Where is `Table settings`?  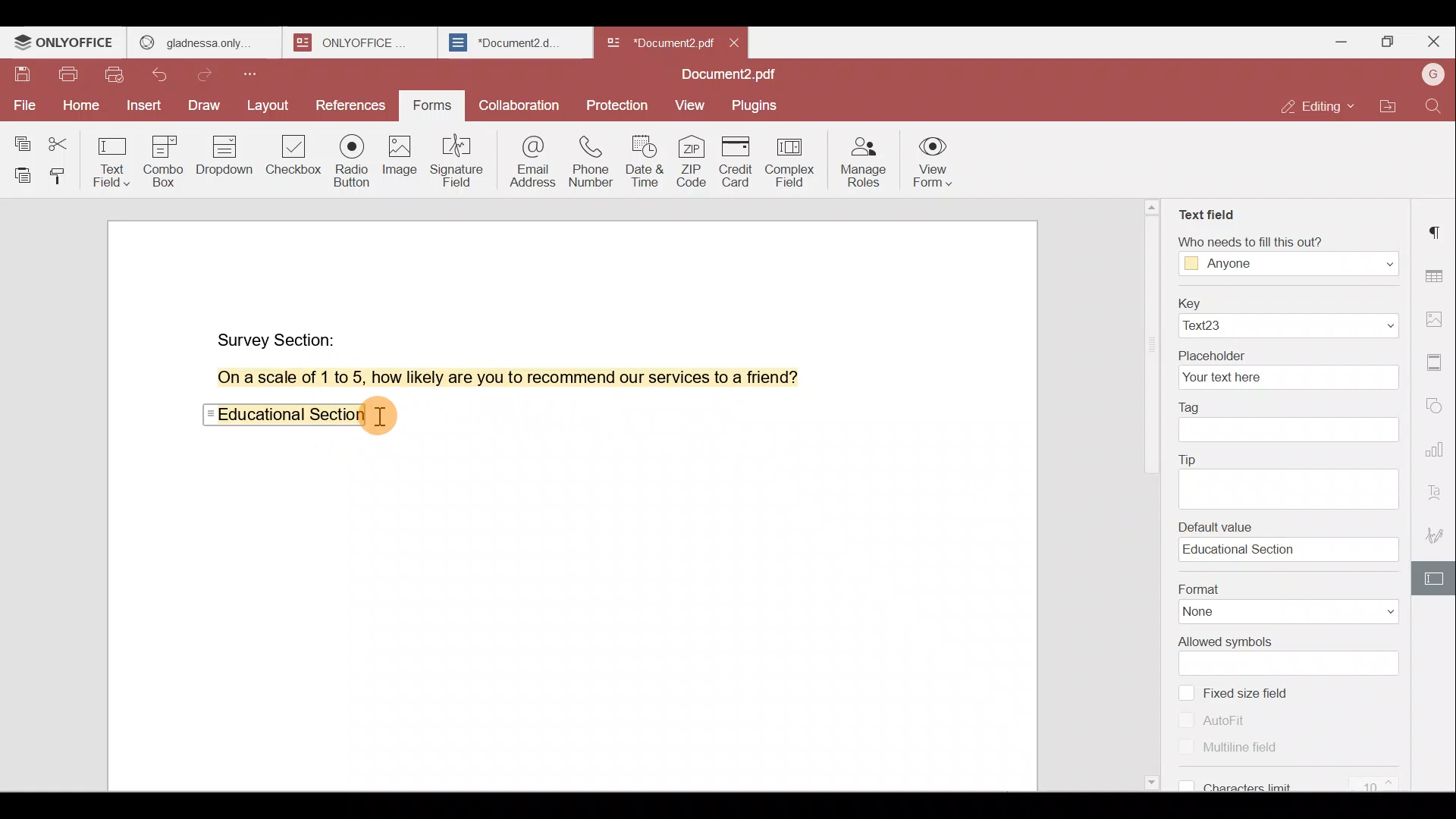
Table settings is located at coordinates (1436, 272).